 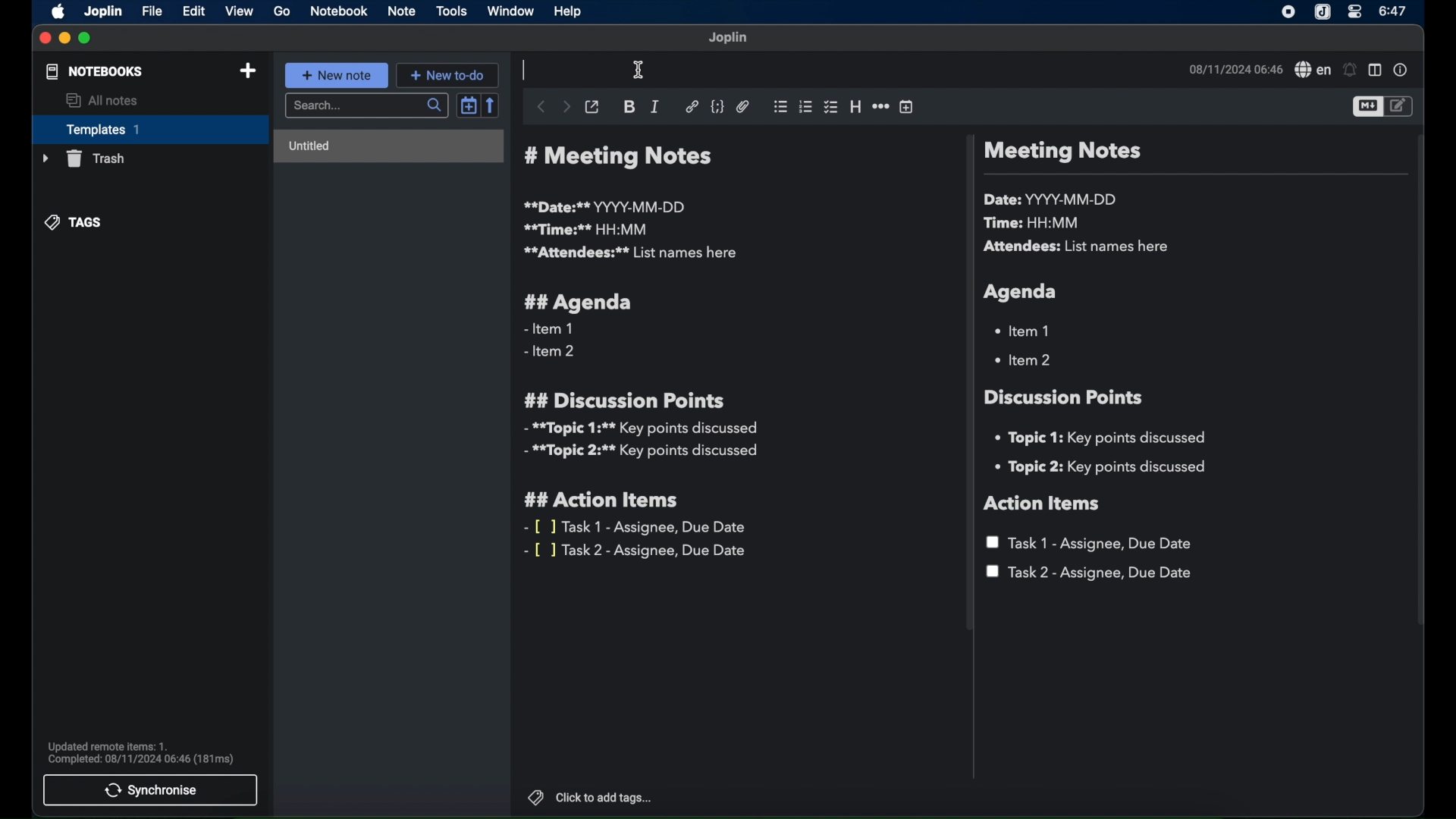 What do you see at coordinates (55, 12) in the screenshot?
I see `apple icon` at bounding box center [55, 12].